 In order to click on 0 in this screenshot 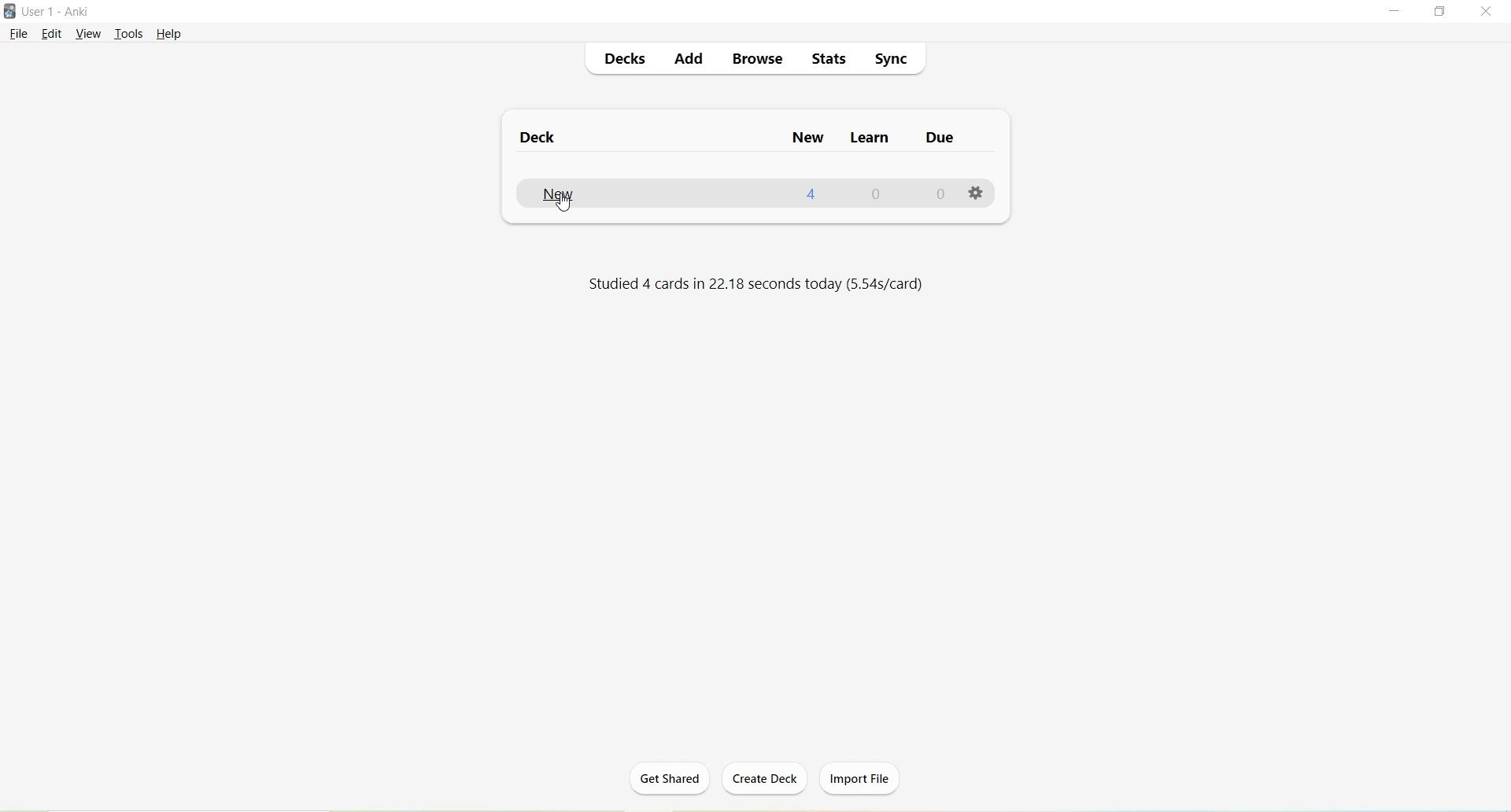, I will do `click(936, 194)`.